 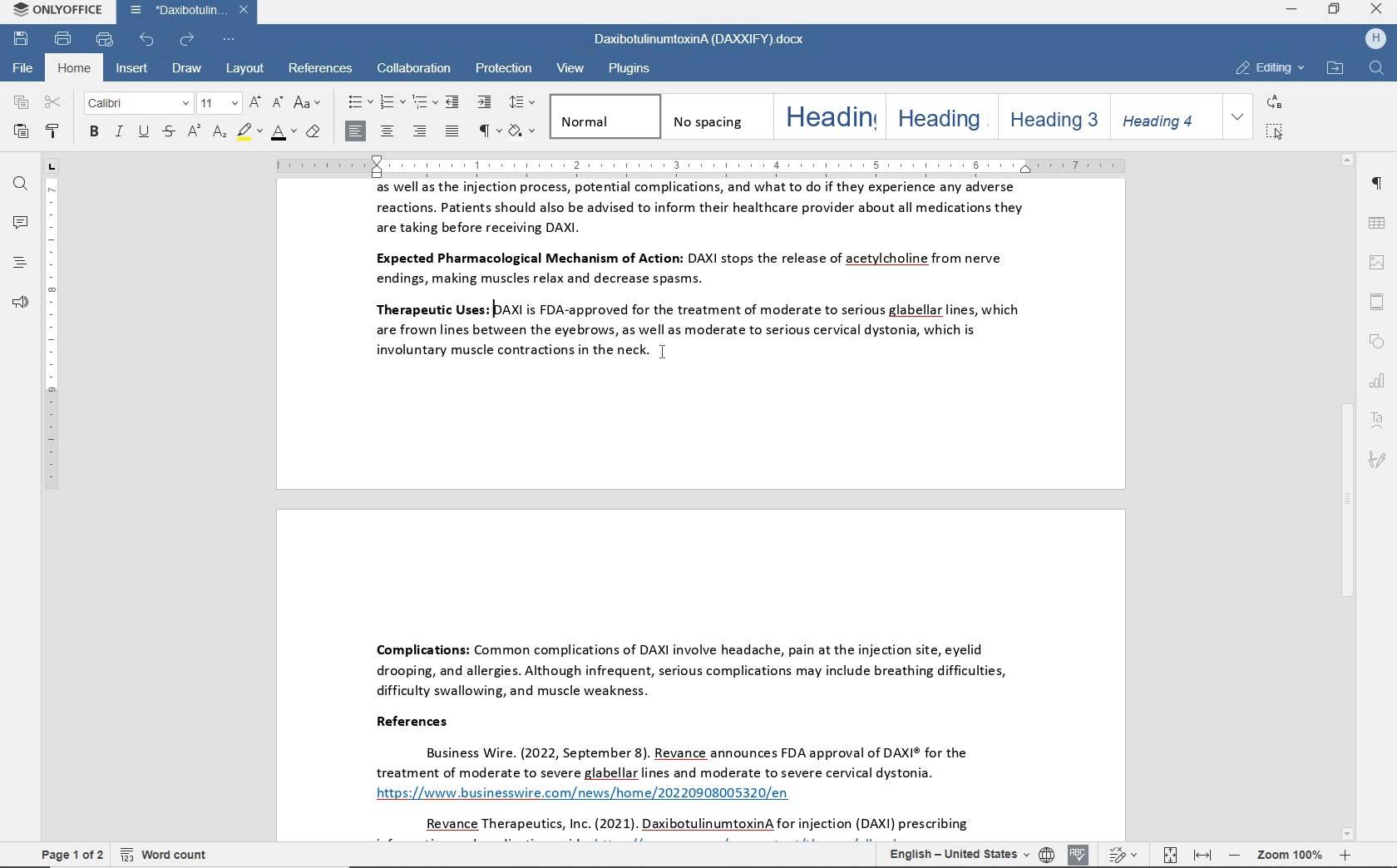 What do you see at coordinates (21, 185) in the screenshot?
I see `find` at bounding box center [21, 185].